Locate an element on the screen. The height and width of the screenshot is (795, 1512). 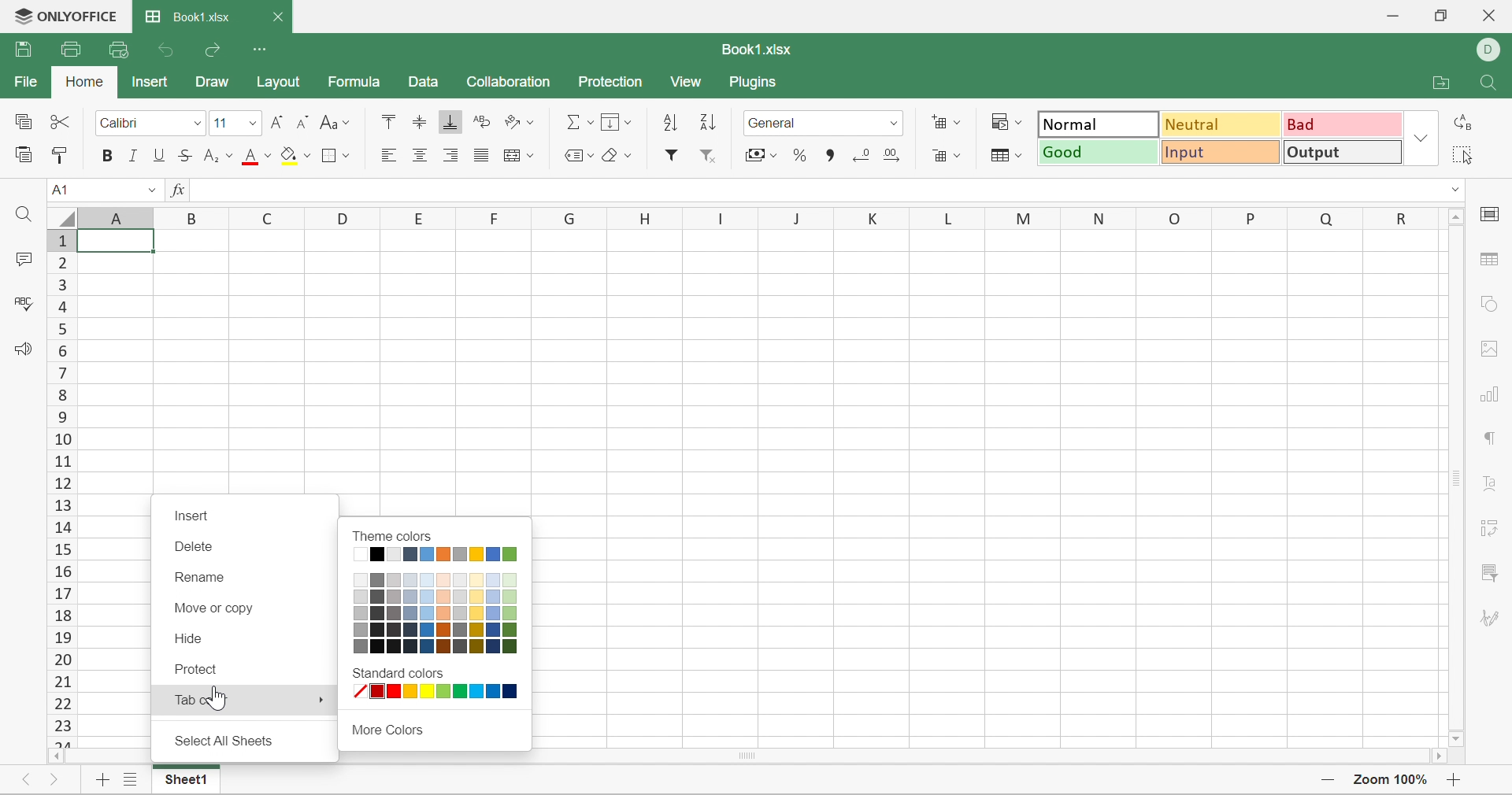
Image settings is located at coordinates (1489, 348).